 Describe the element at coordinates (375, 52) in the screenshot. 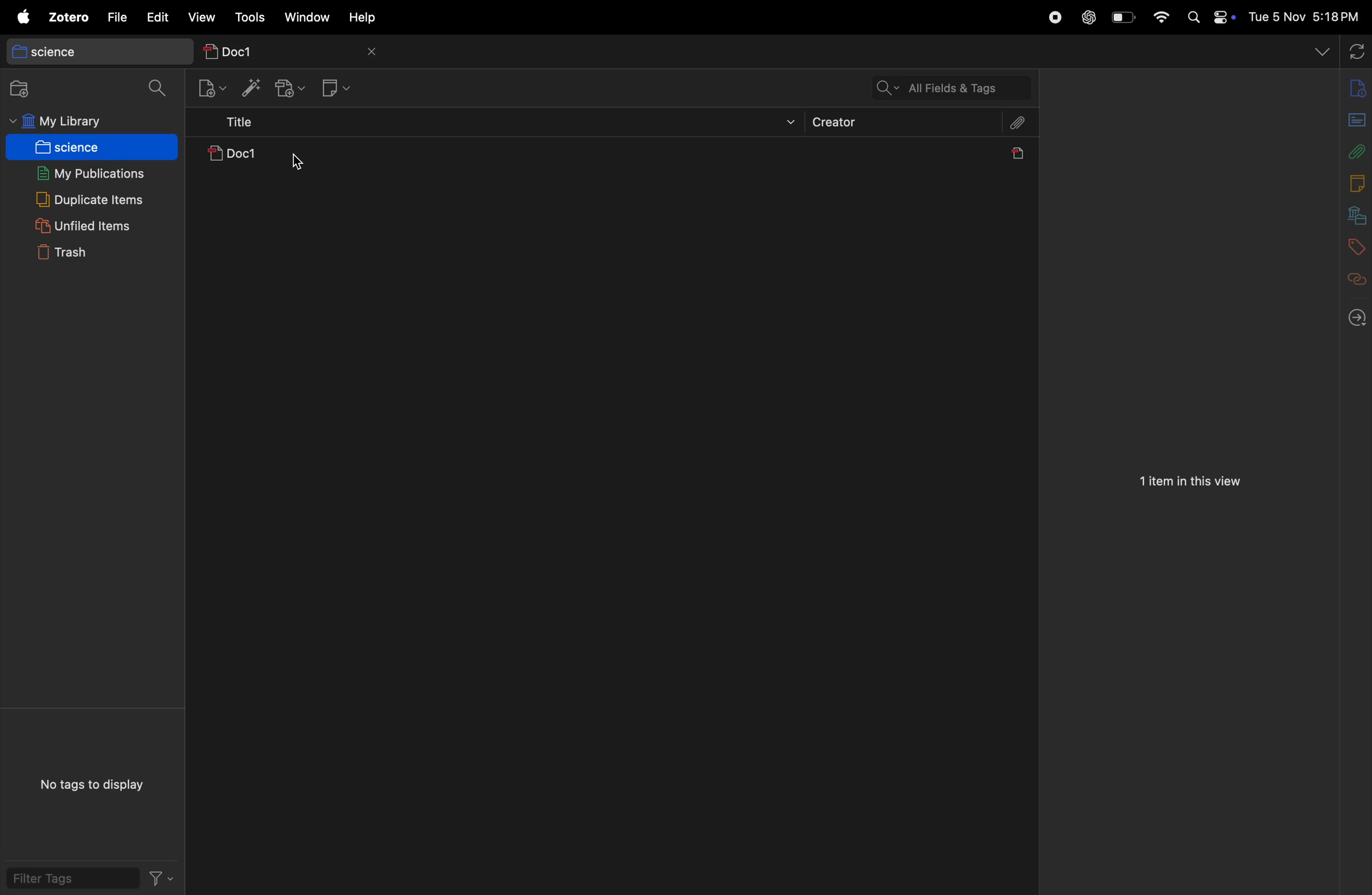

I see `close` at that location.